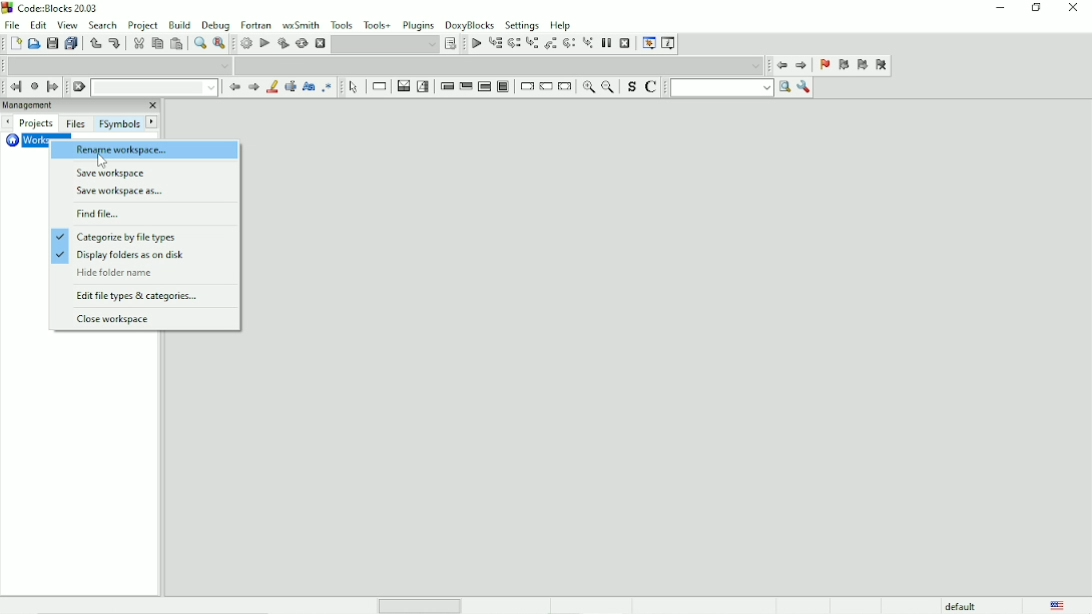 The image size is (1092, 614). Describe the element at coordinates (282, 43) in the screenshot. I see `Build and run` at that location.